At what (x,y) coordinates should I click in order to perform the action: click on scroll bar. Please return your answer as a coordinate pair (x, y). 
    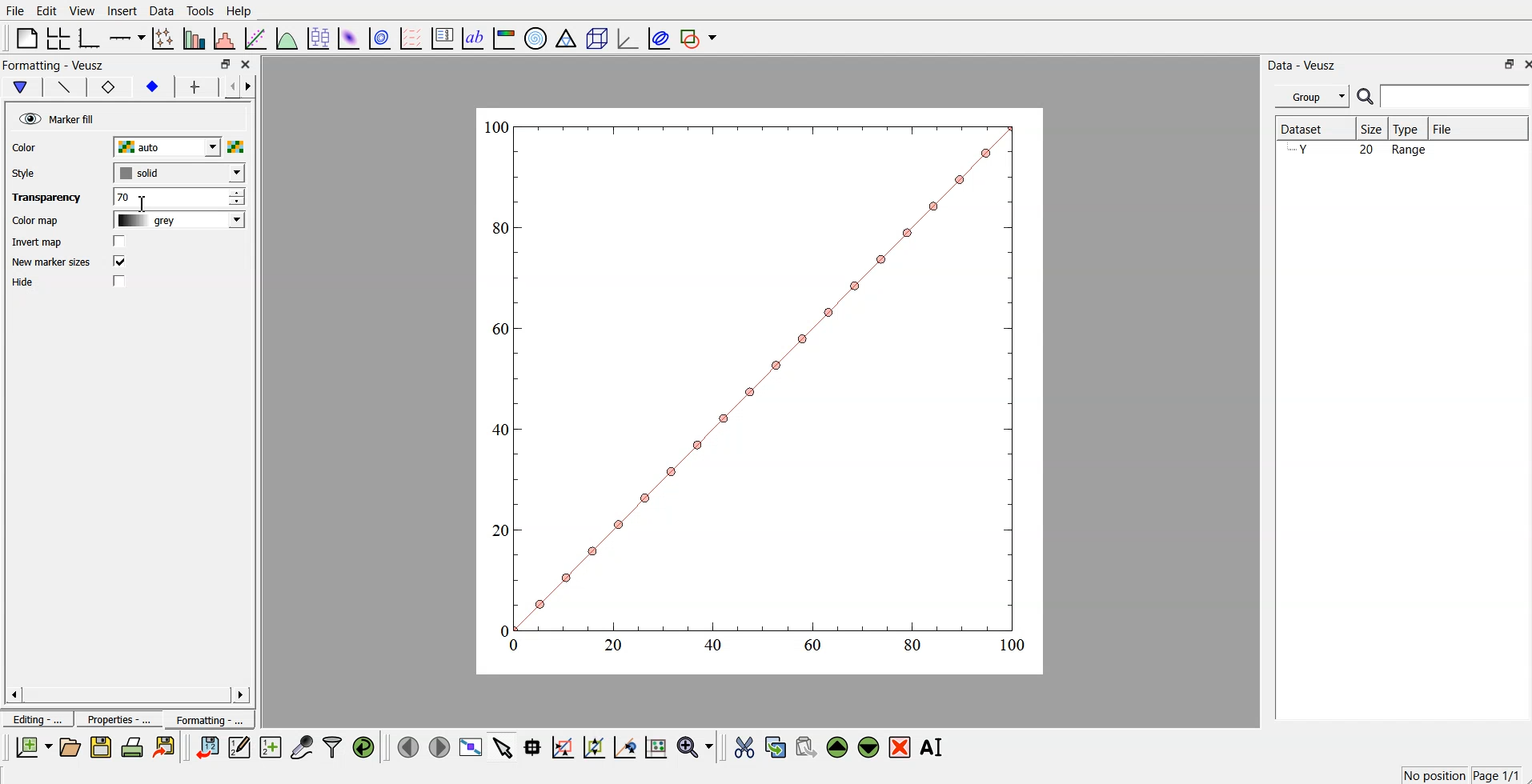
    Looking at the image, I should click on (127, 694).